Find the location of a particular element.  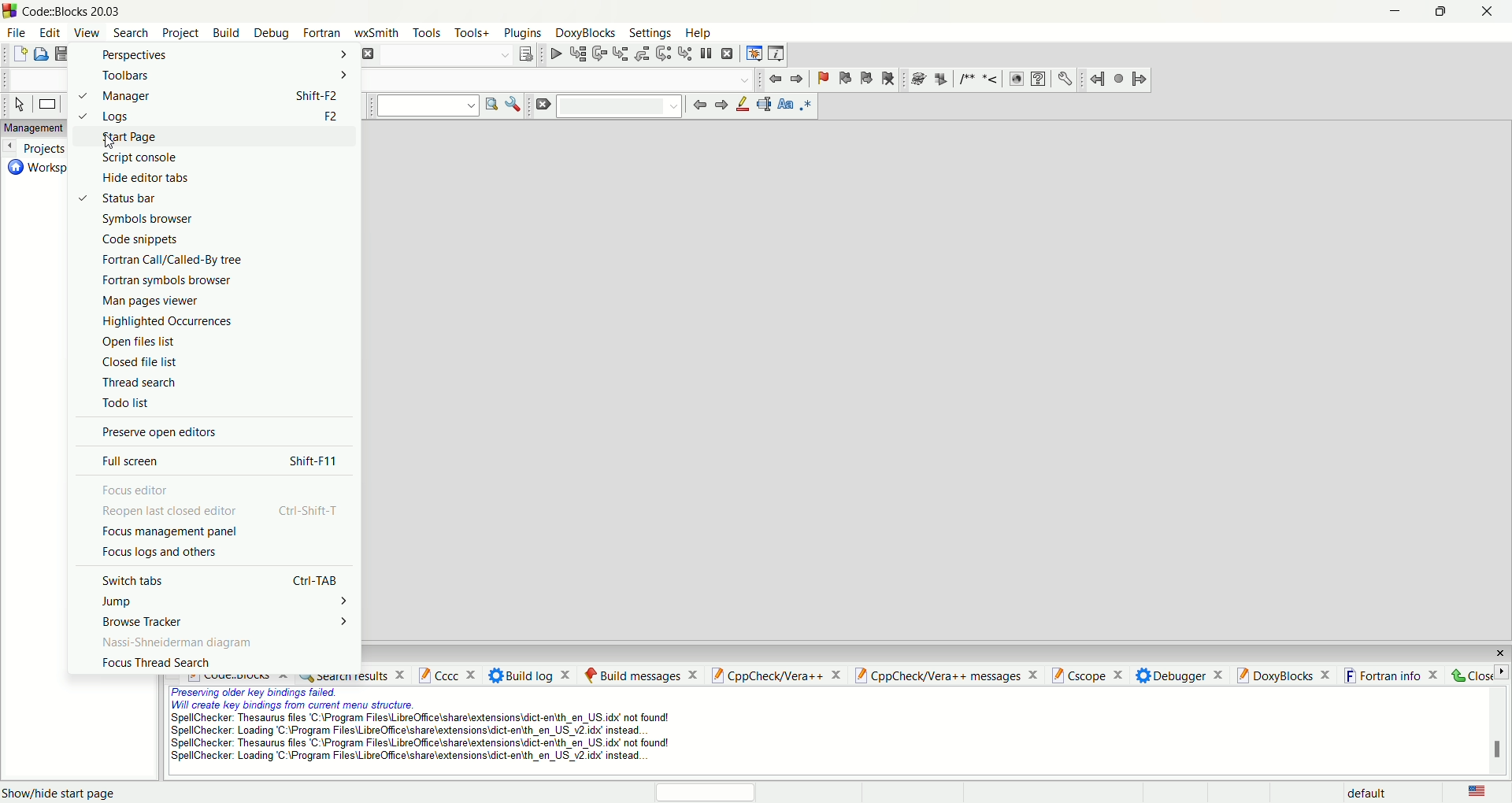

highlighted occurrences is located at coordinates (168, 322).